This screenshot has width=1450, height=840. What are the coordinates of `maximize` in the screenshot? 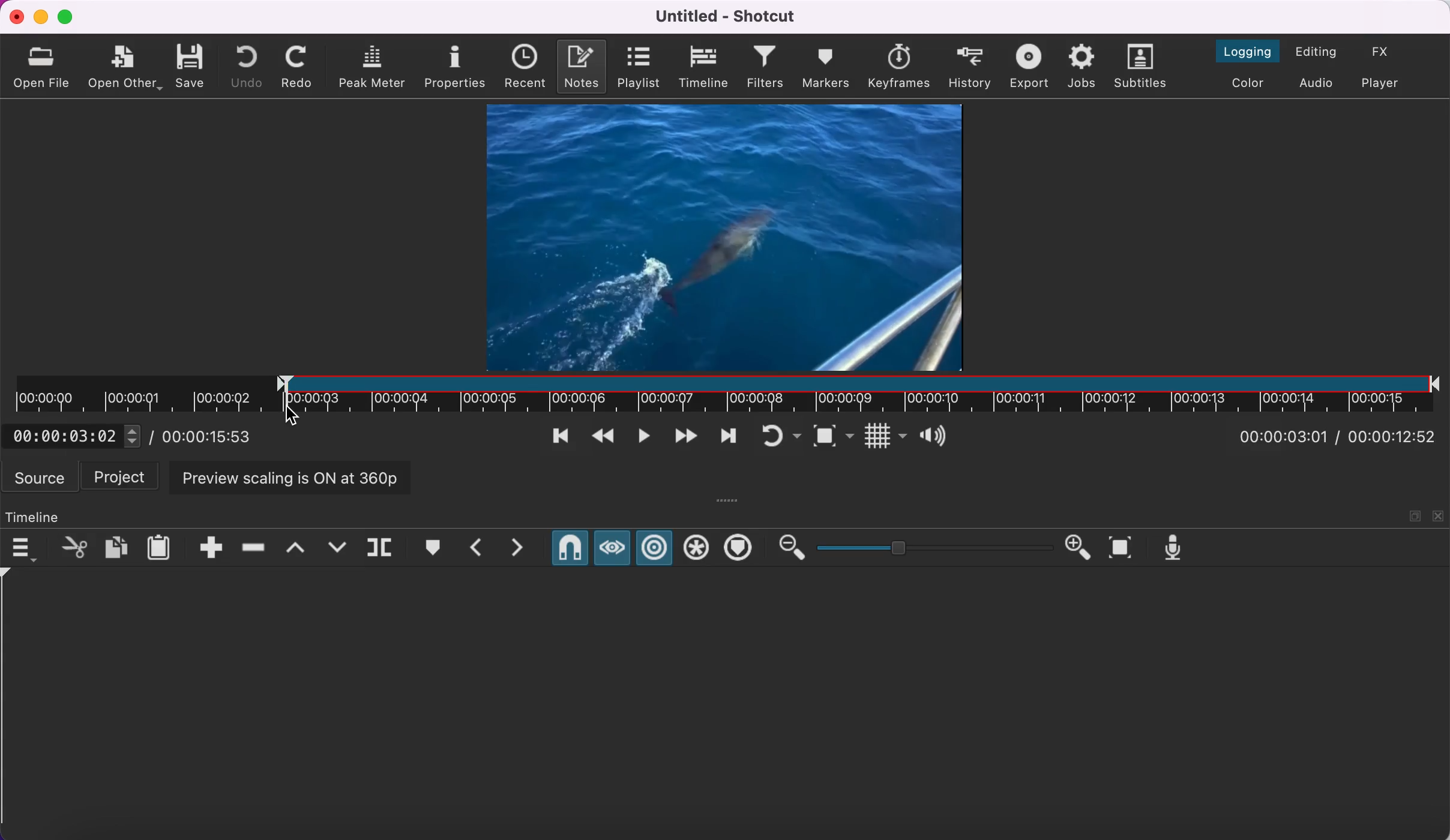 It's located at (69, 17).